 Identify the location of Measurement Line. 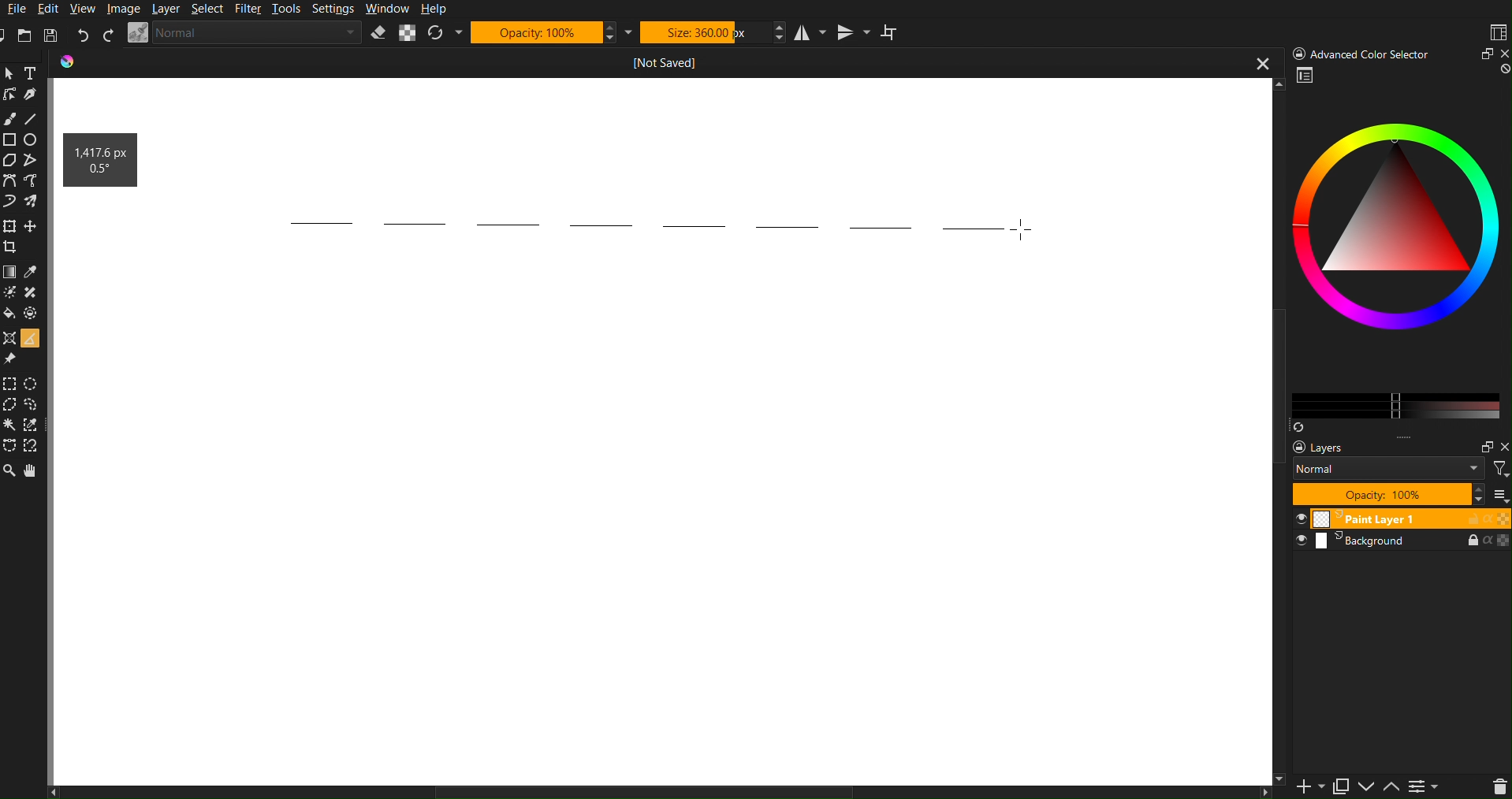
(639, 224).